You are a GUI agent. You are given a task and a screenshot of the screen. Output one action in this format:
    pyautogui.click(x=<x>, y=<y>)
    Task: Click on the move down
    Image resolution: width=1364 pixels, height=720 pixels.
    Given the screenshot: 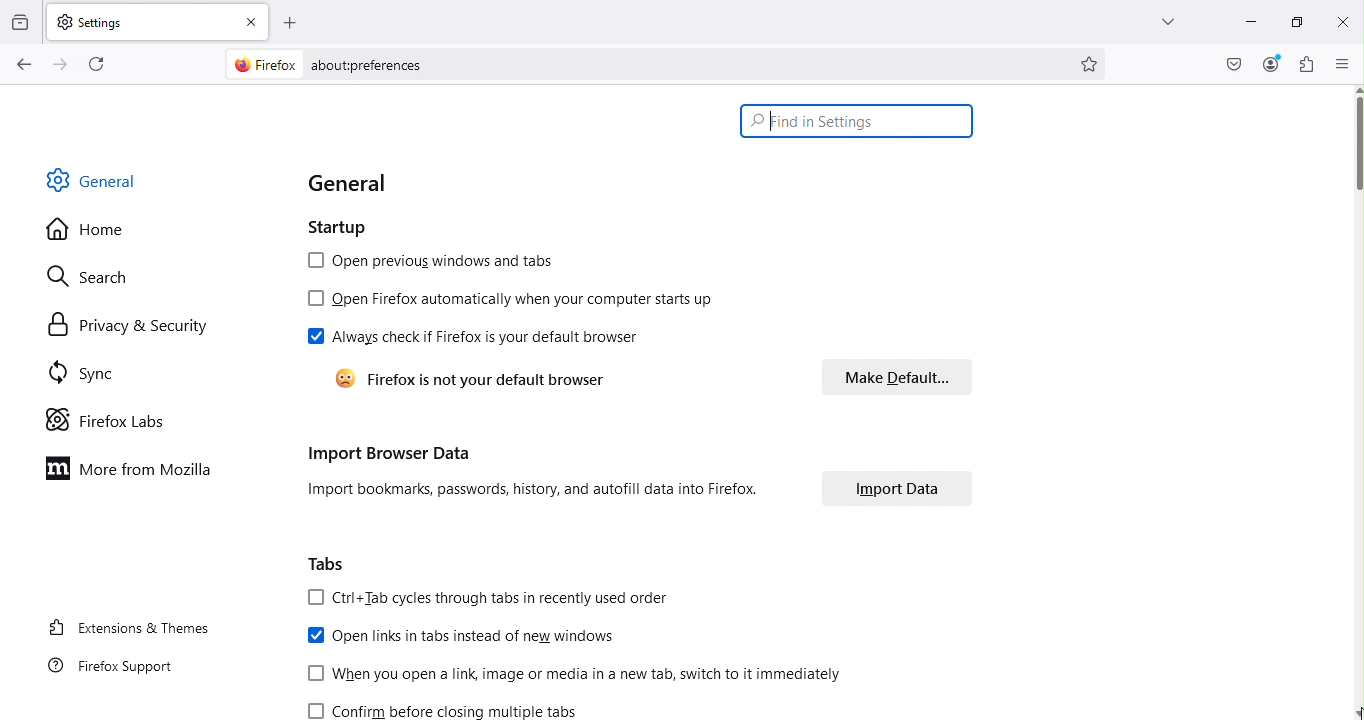 What is the action you would take?
    pyautogui.click(x=1355, y=712)
    